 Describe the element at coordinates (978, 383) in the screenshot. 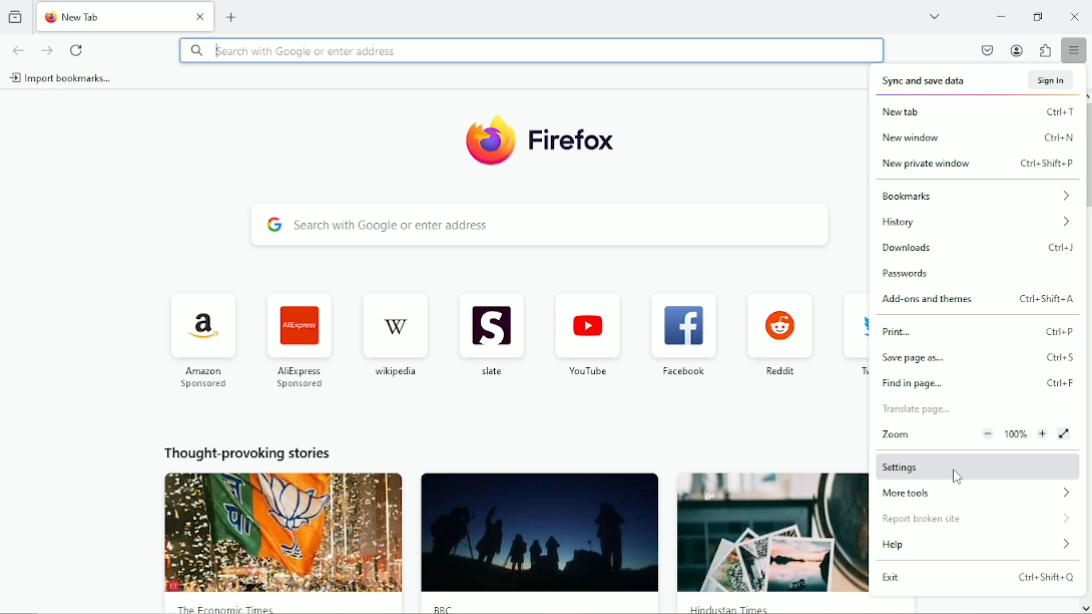

I see `Find in page...  Ctrl+F` at that location.